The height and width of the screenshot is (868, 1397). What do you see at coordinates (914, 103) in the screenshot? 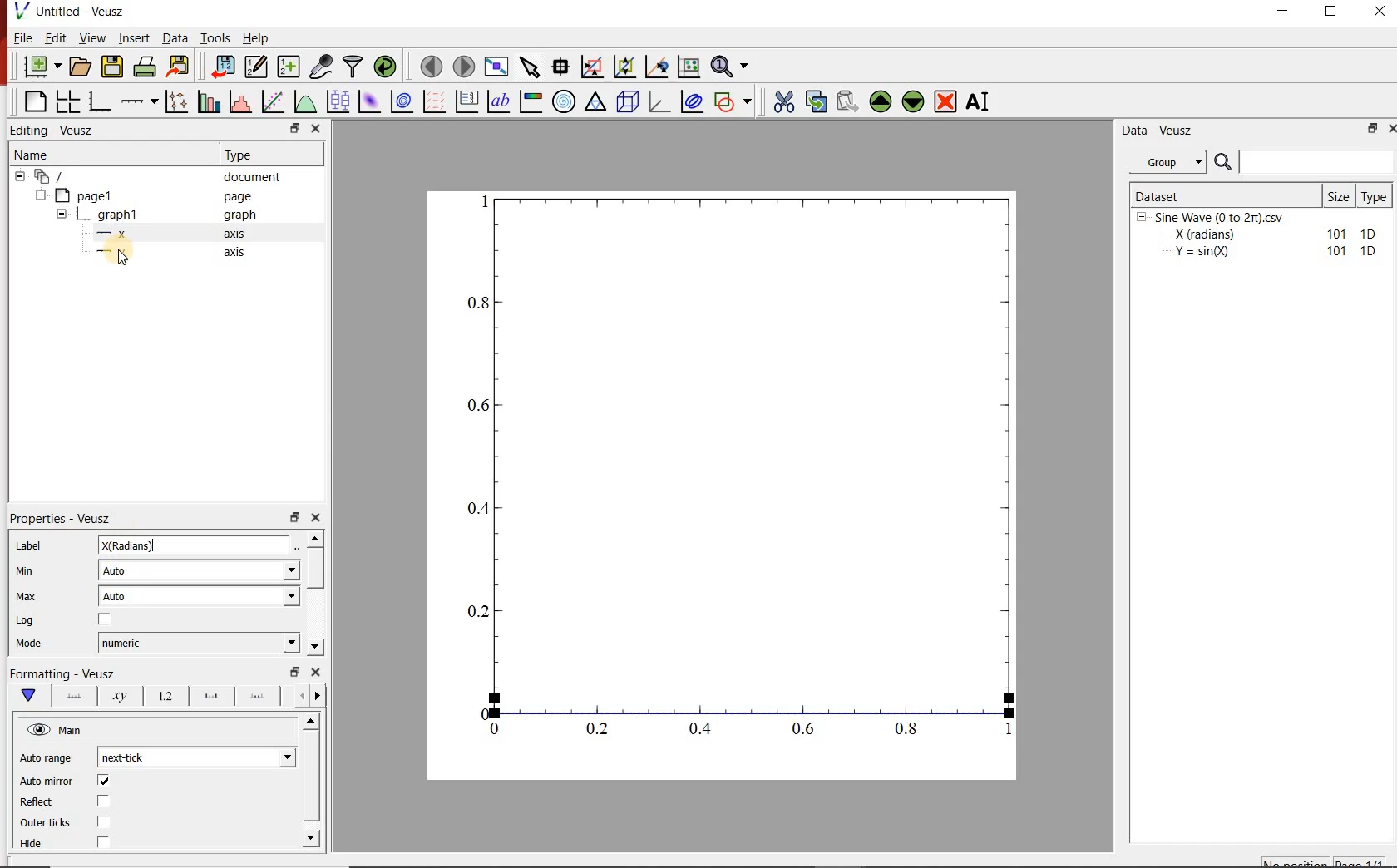
I see `move down` at bounding box center [914, 103].